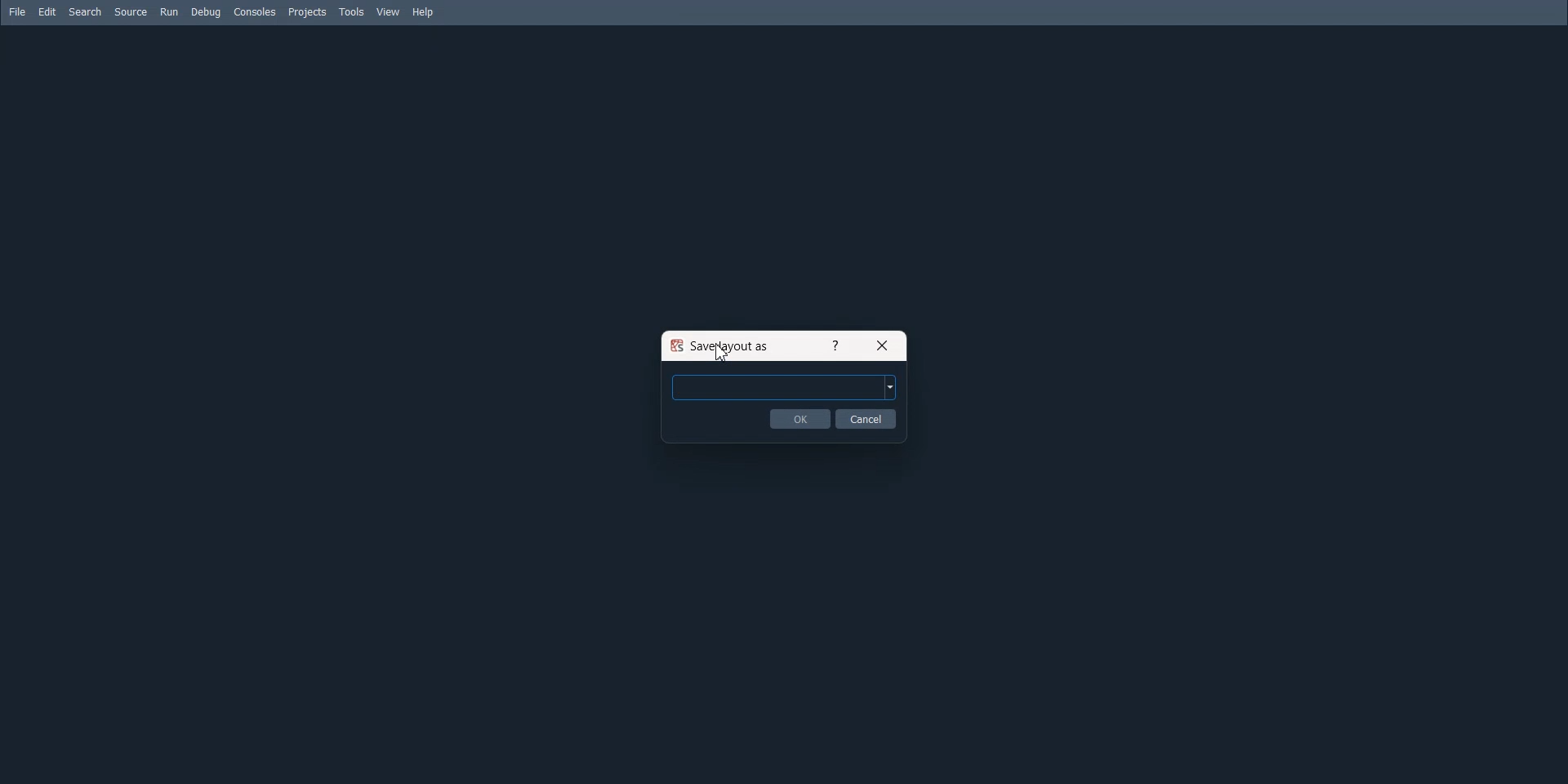 This screenshot has height=784, width=1568. What do you see at coordinates (16, 11) in the screenshot?
I see `File` at bounding box center [16, 11].